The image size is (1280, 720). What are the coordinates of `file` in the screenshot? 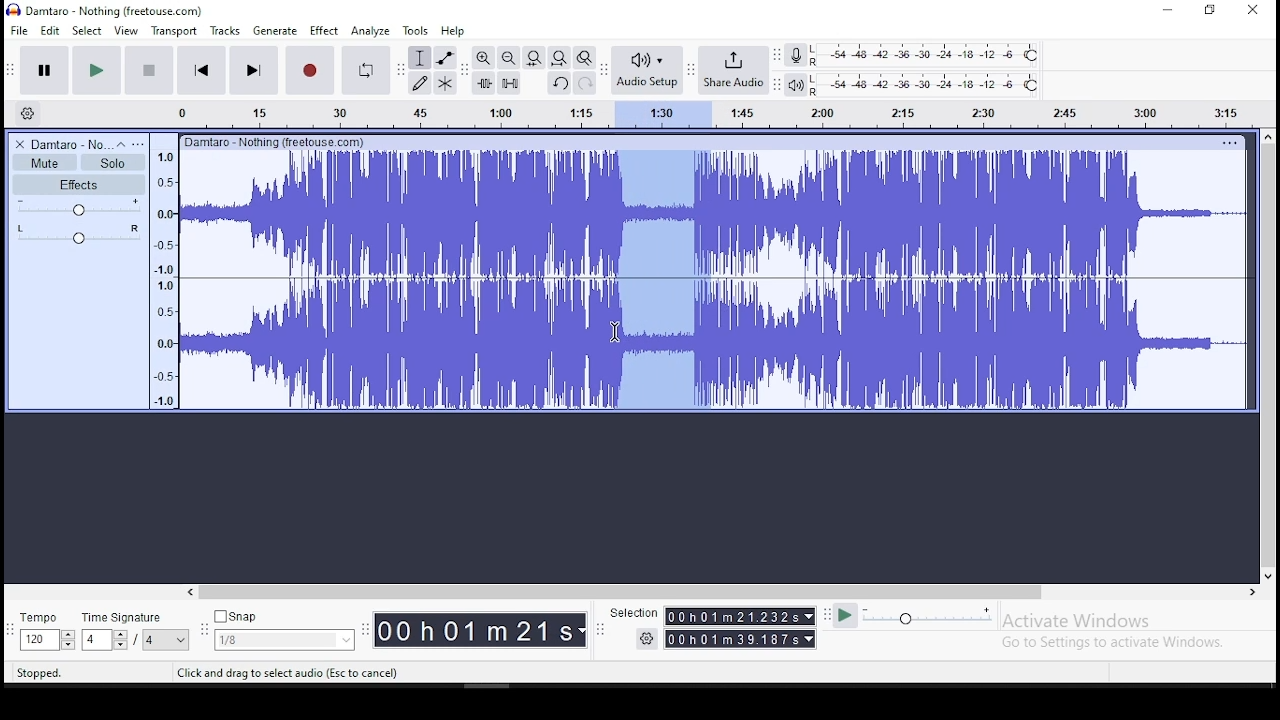 It's located at (21, 30).